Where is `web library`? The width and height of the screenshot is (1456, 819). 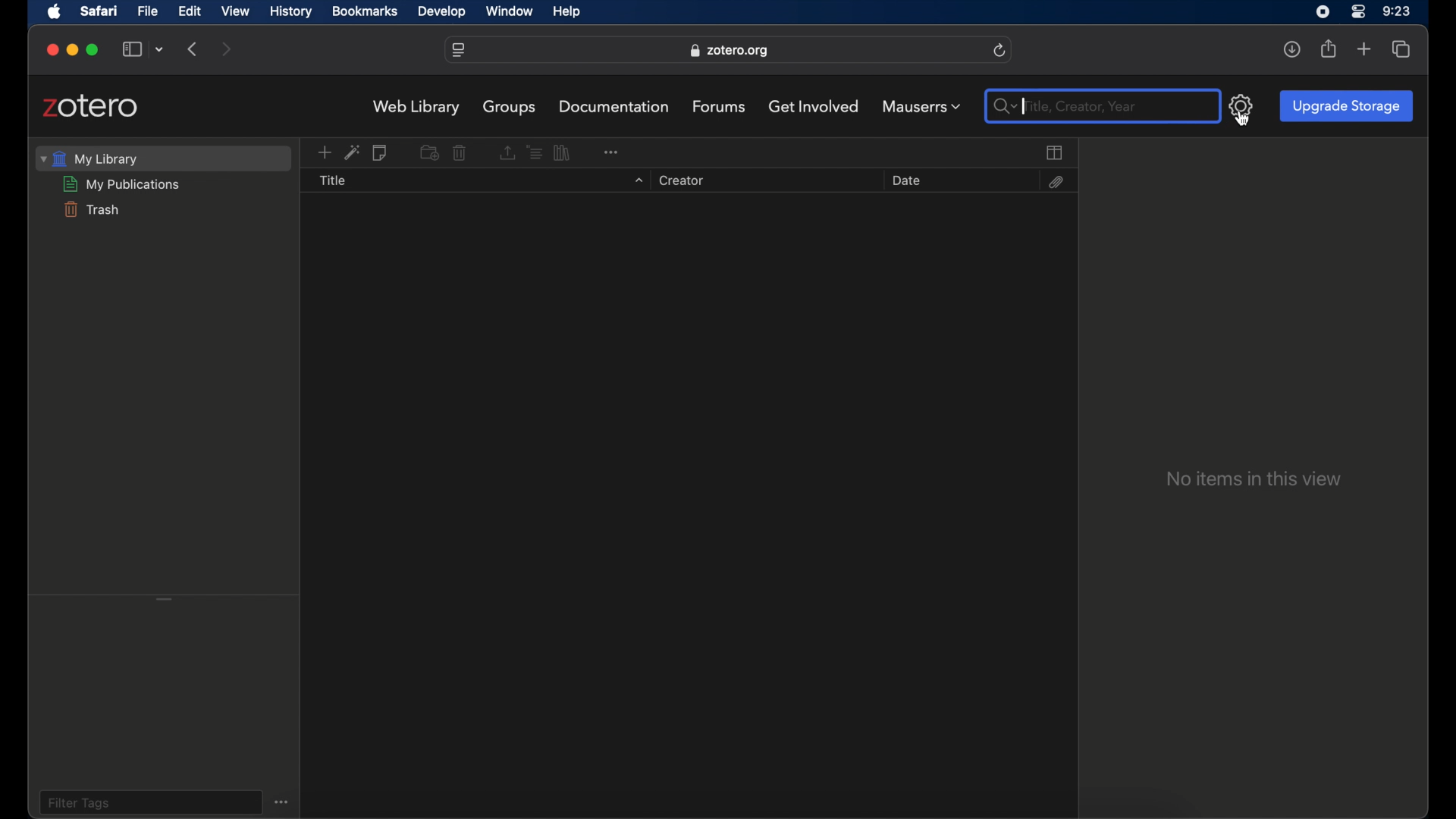 web library is located at coordinates (417, 108).